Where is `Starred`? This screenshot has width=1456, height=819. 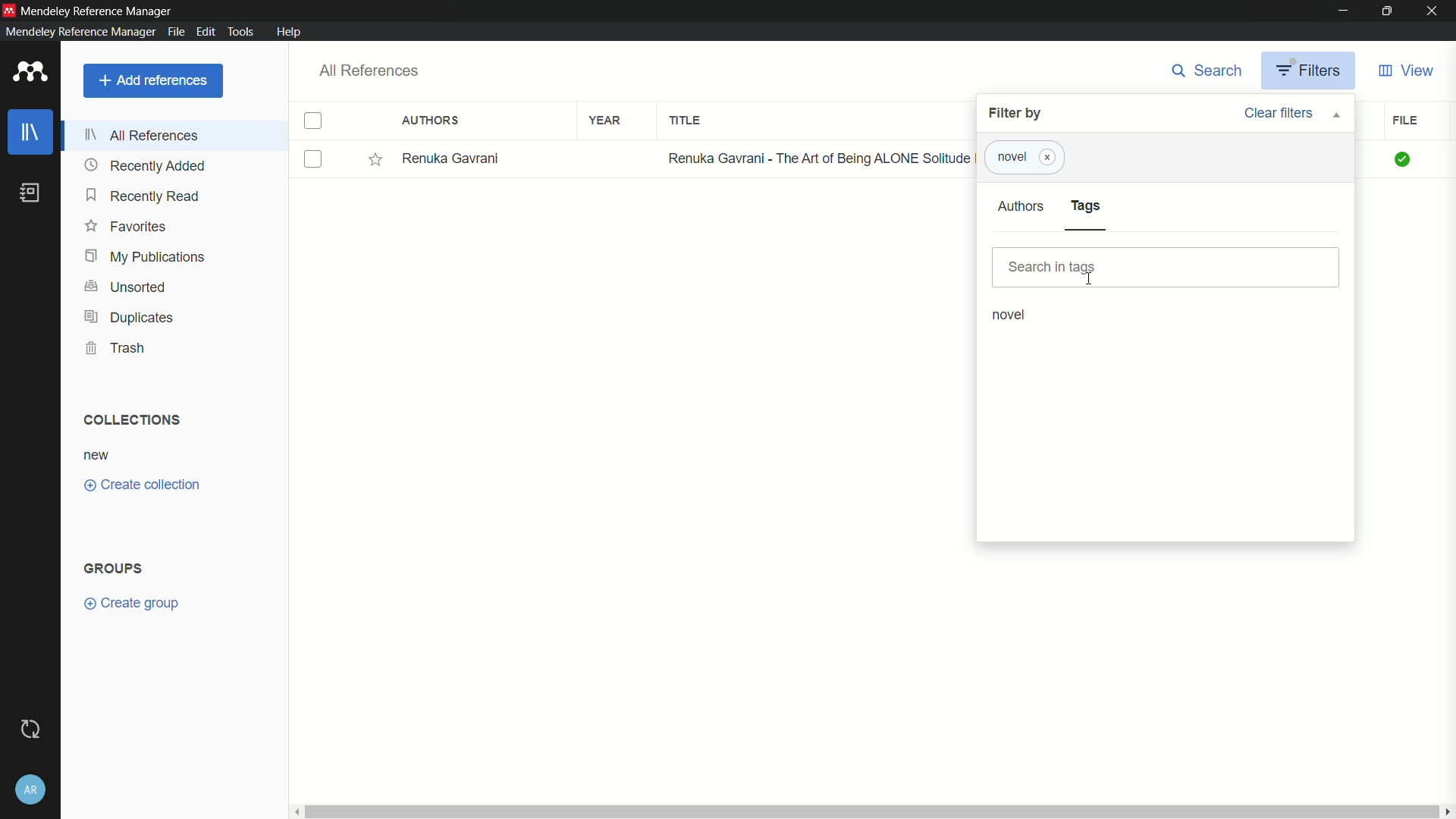
Starred is located at coordinates (375, 159).